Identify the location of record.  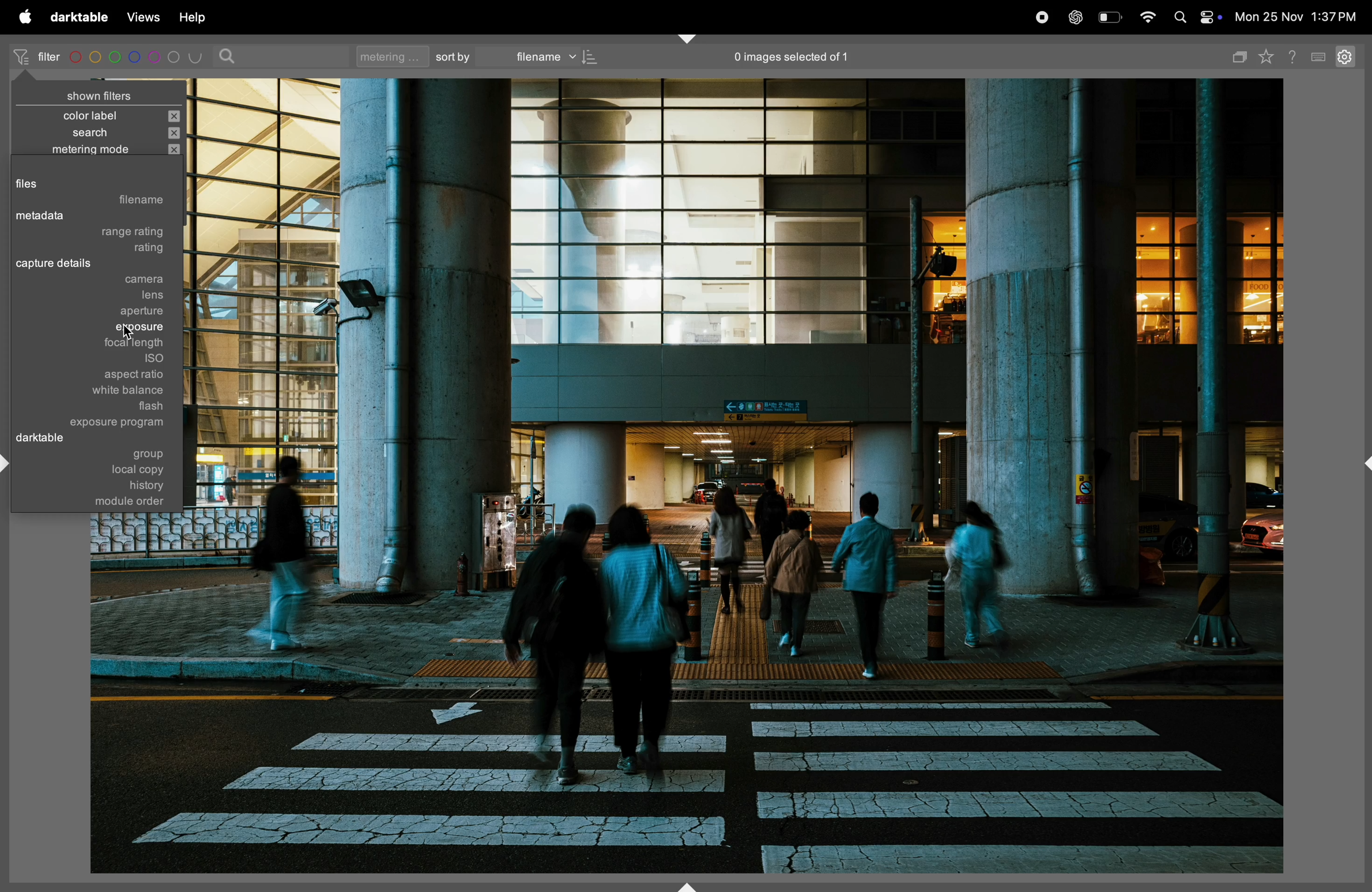
(1044, 16).